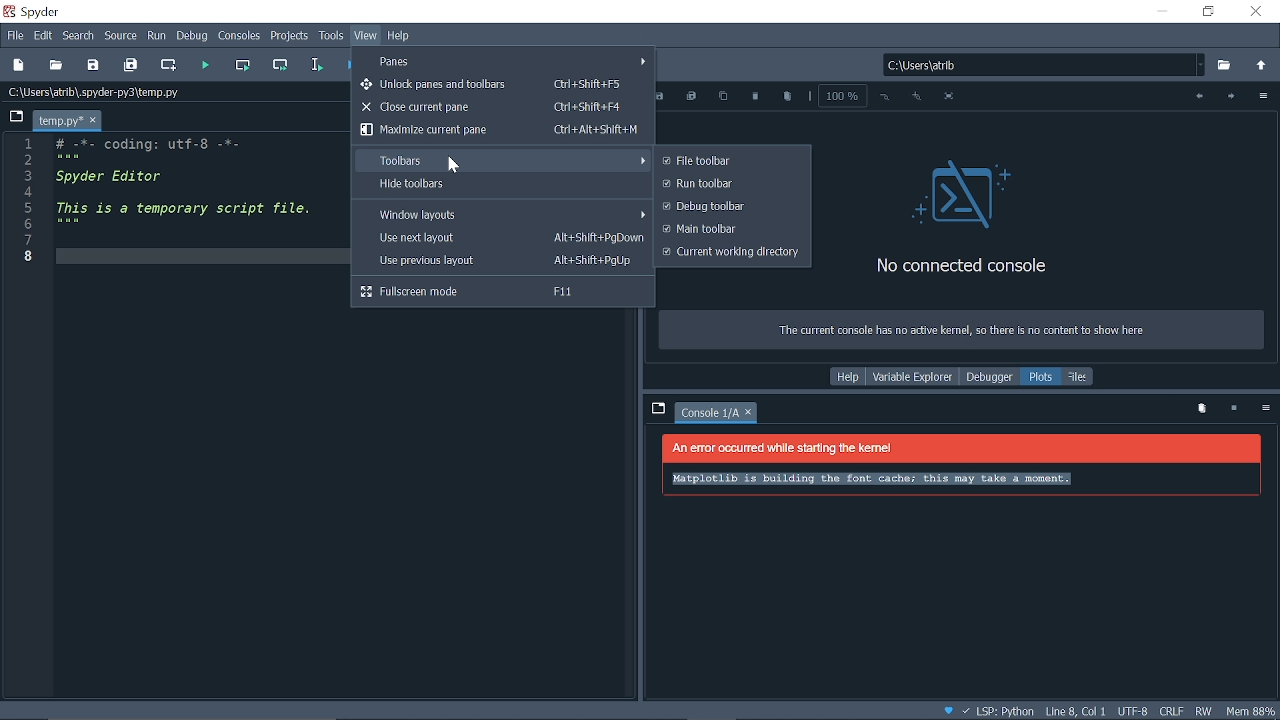  I want to click on Main toolbar, so click(730, 229).